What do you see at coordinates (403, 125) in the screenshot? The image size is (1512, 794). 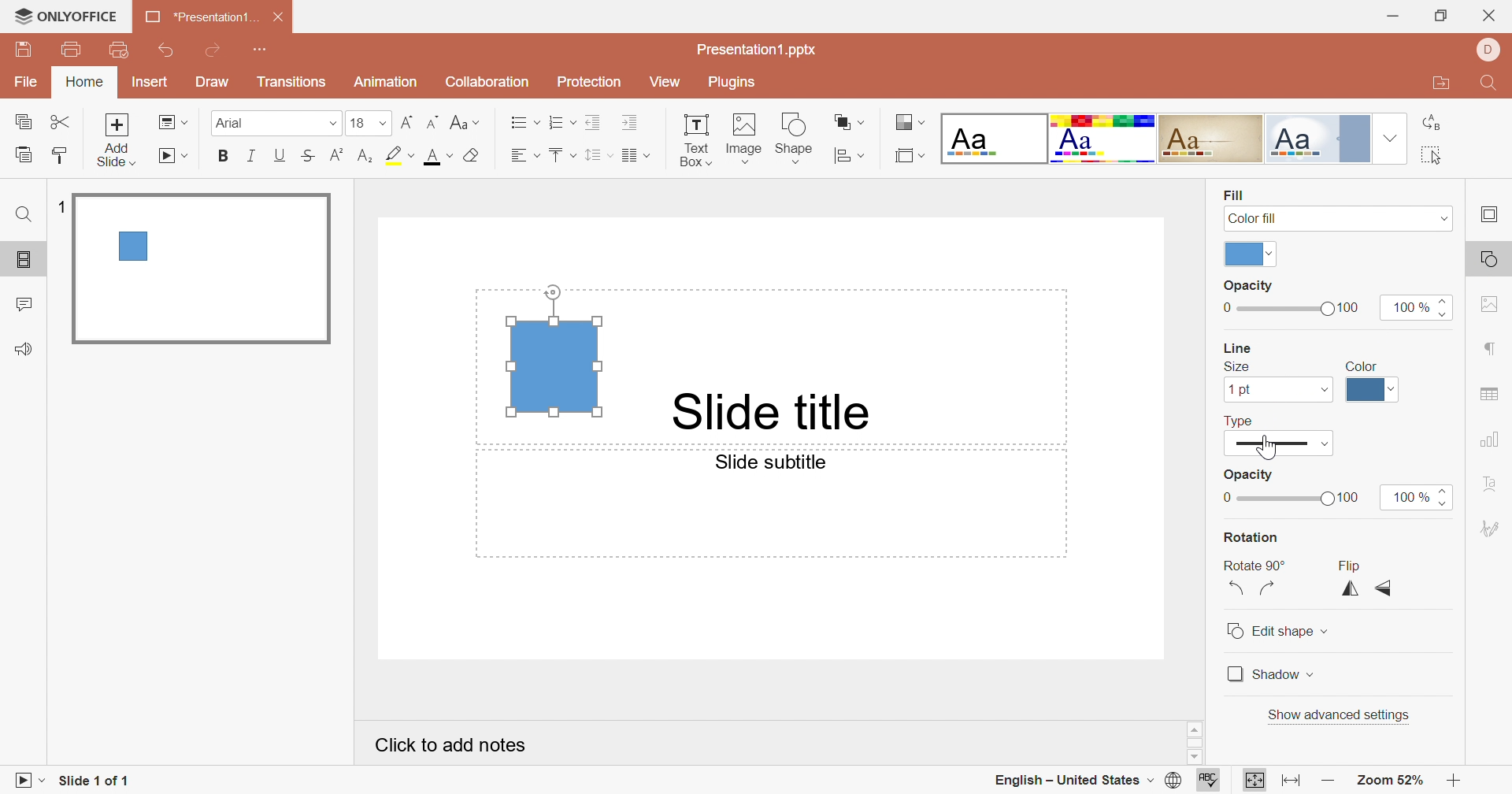 I see `Increment font size` at bounding box center [403, 125].